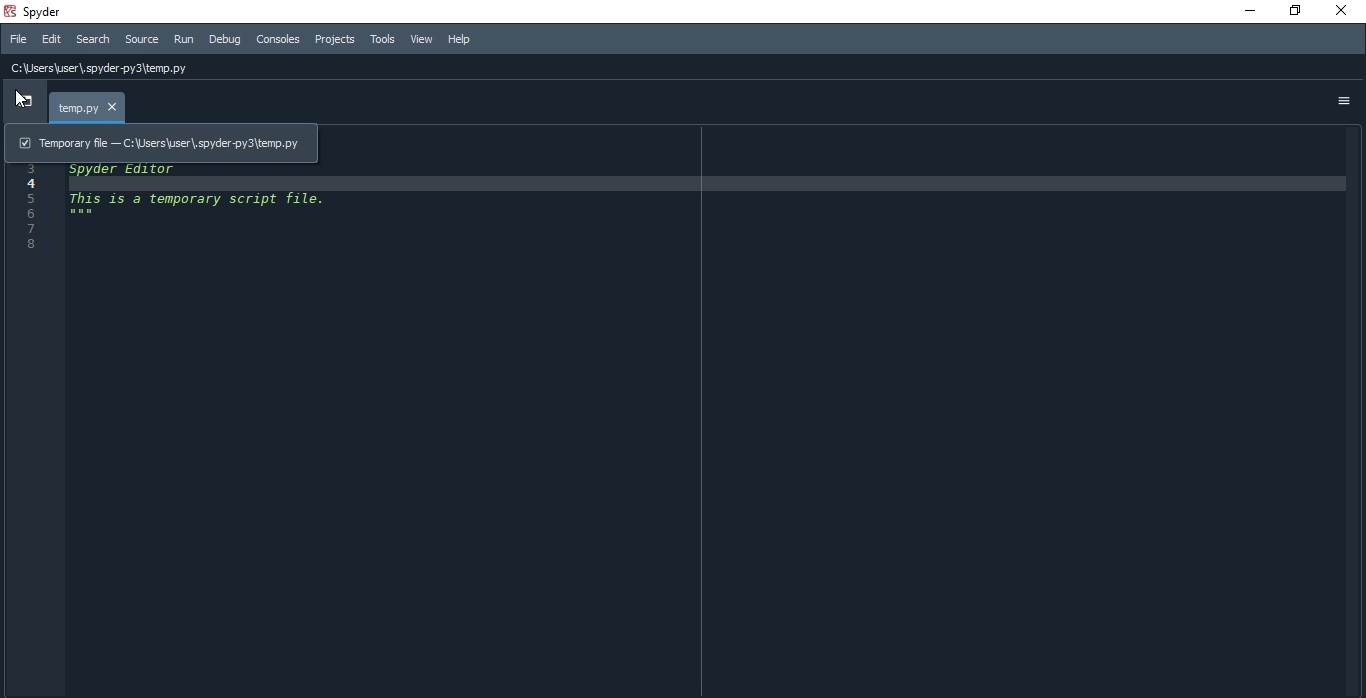 The image size is (1366, 698). Describe the element at coordinates (141, 41) in the screenshot. I see `source` at that location.